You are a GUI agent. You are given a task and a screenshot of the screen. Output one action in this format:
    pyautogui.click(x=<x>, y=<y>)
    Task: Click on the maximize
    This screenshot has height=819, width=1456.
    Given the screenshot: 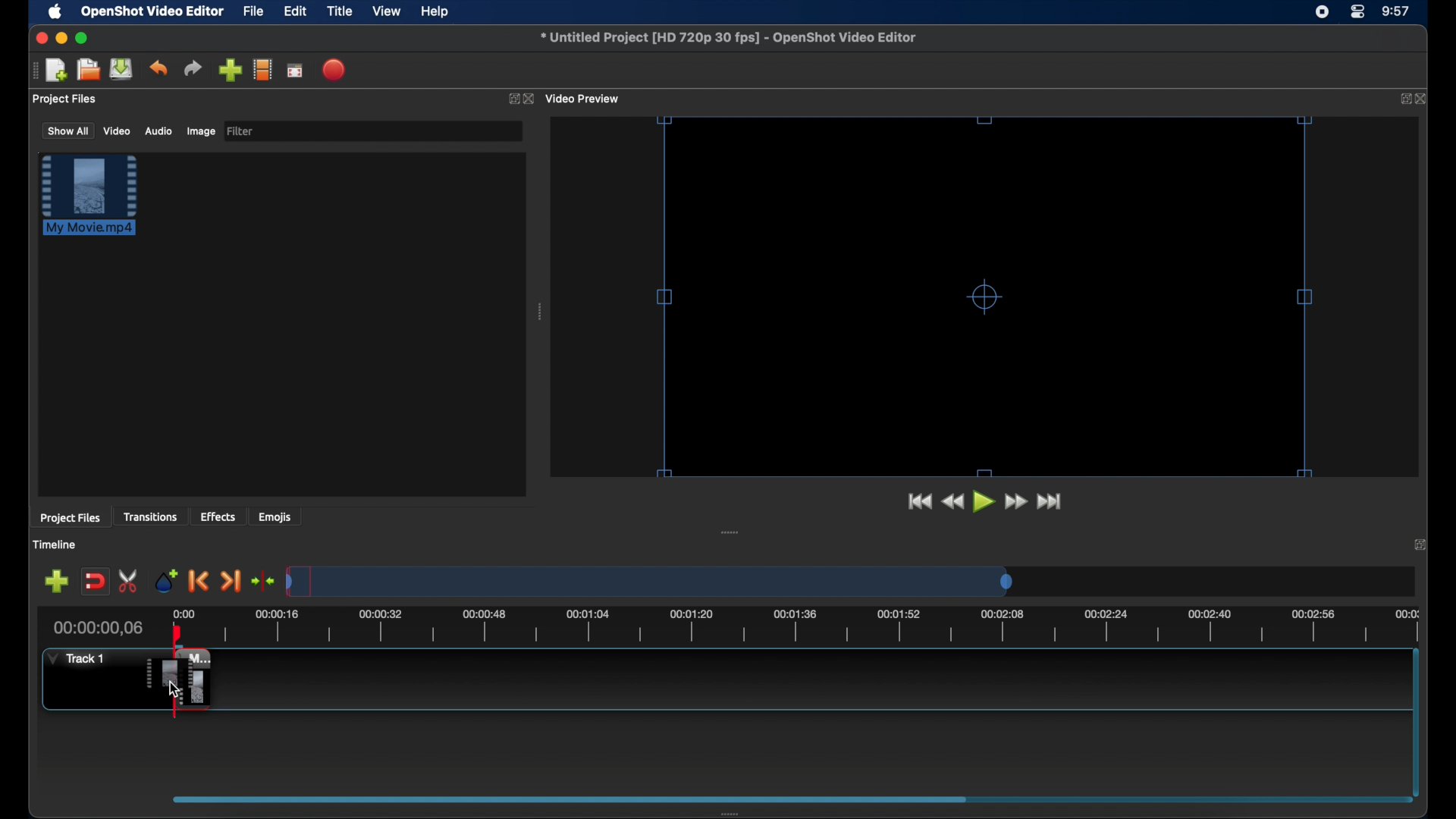 What is the action you would take?
    pyautogui.click(x=82, y=38)
    